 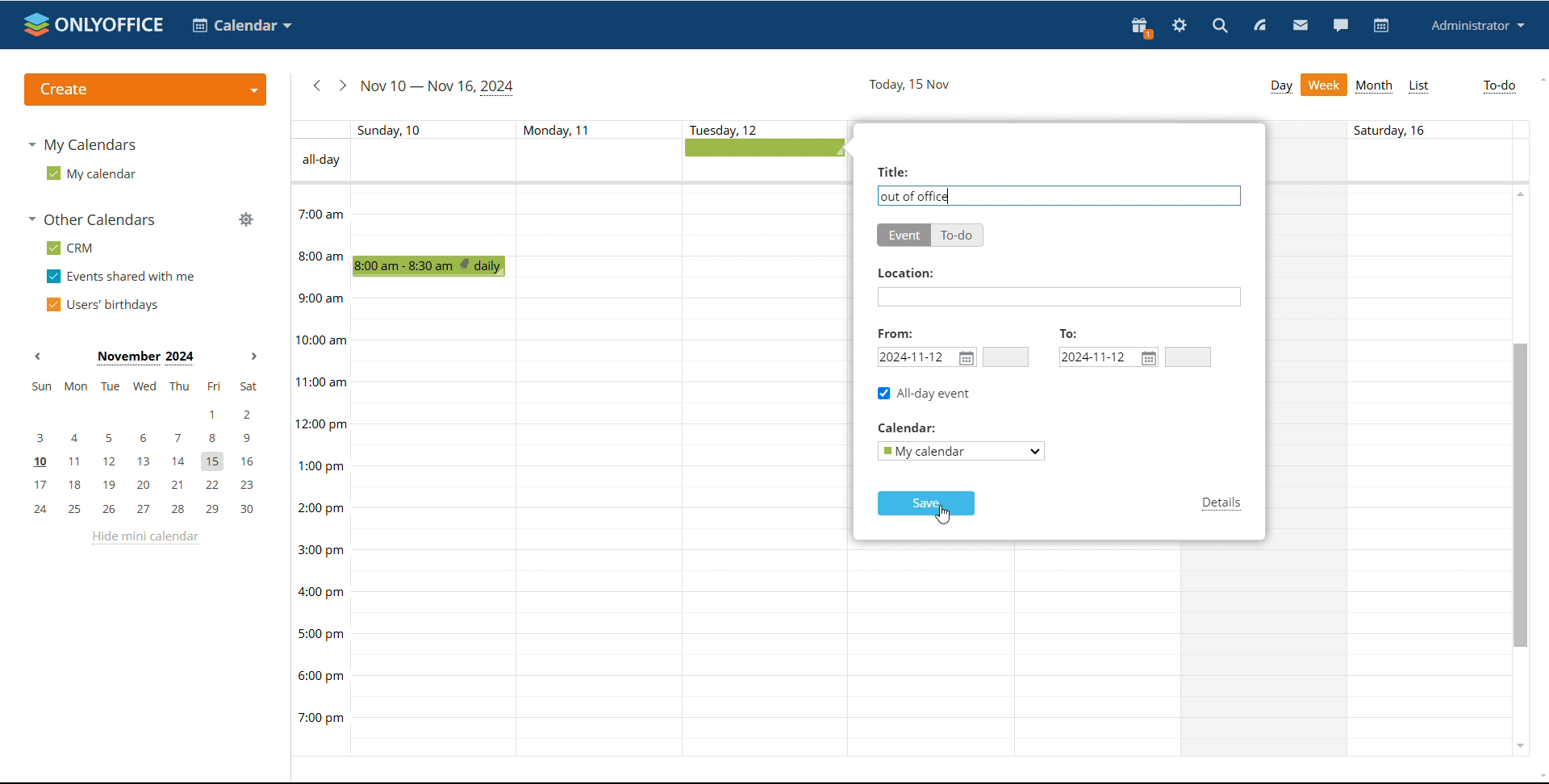 What do you see at coordinates (1280, 86) in the screenshot?
I see `day view` at bounding box center [1280, 86].